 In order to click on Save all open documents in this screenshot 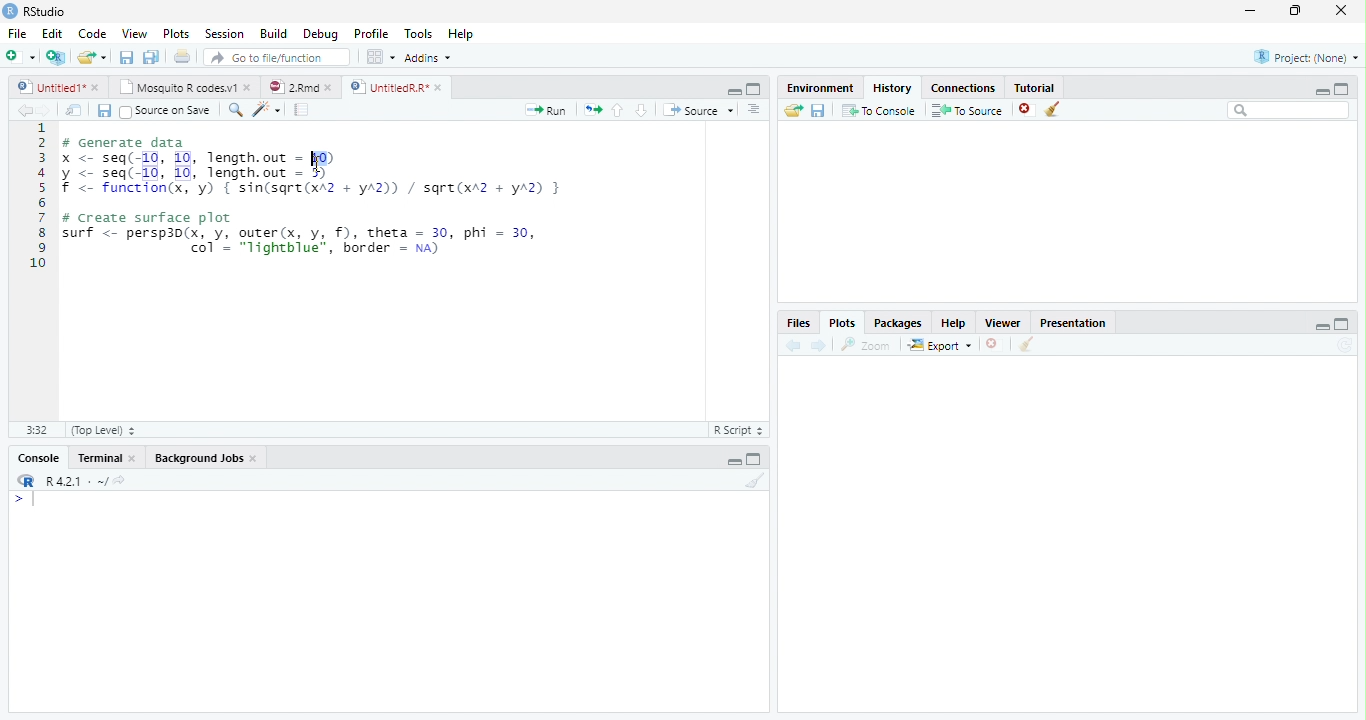, I will do `click(150, 56)`.